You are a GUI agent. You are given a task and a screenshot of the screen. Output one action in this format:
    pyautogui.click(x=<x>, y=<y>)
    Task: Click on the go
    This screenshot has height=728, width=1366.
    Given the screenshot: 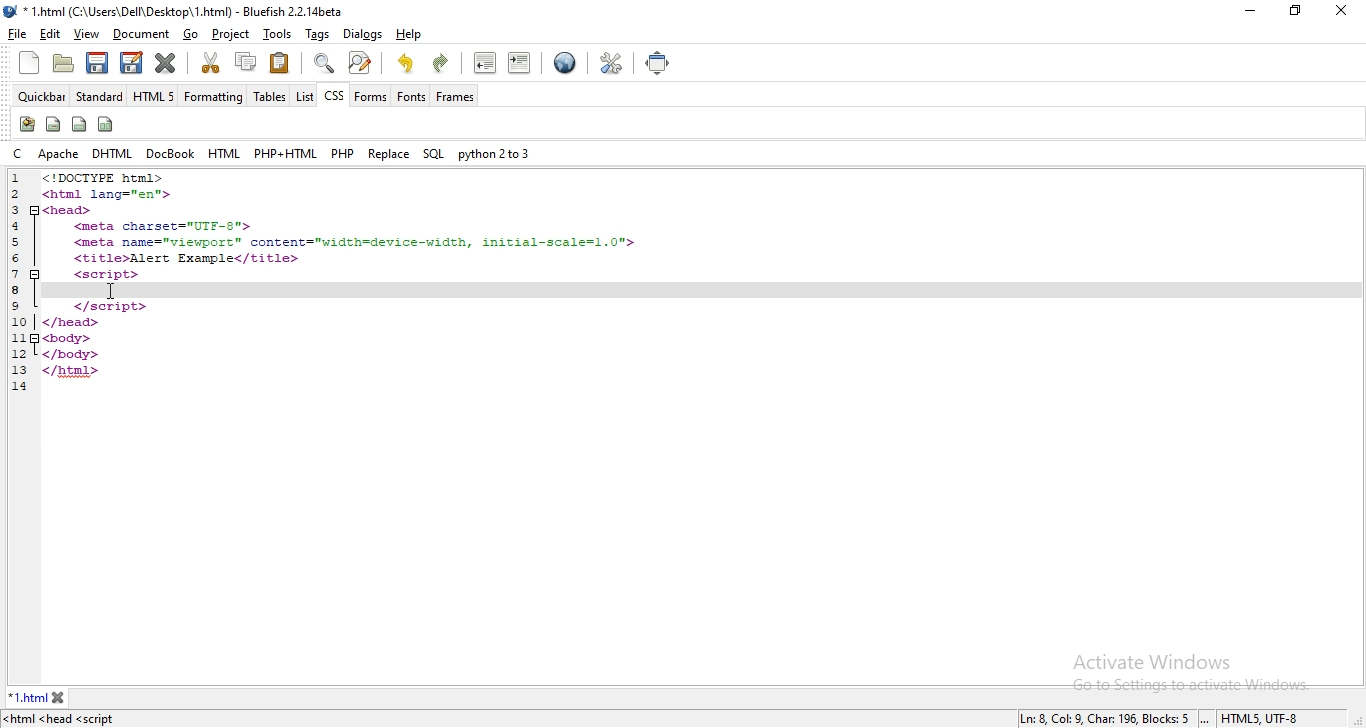 What is the action you would take?
    pyautogui.click(x=191, y=35)
    